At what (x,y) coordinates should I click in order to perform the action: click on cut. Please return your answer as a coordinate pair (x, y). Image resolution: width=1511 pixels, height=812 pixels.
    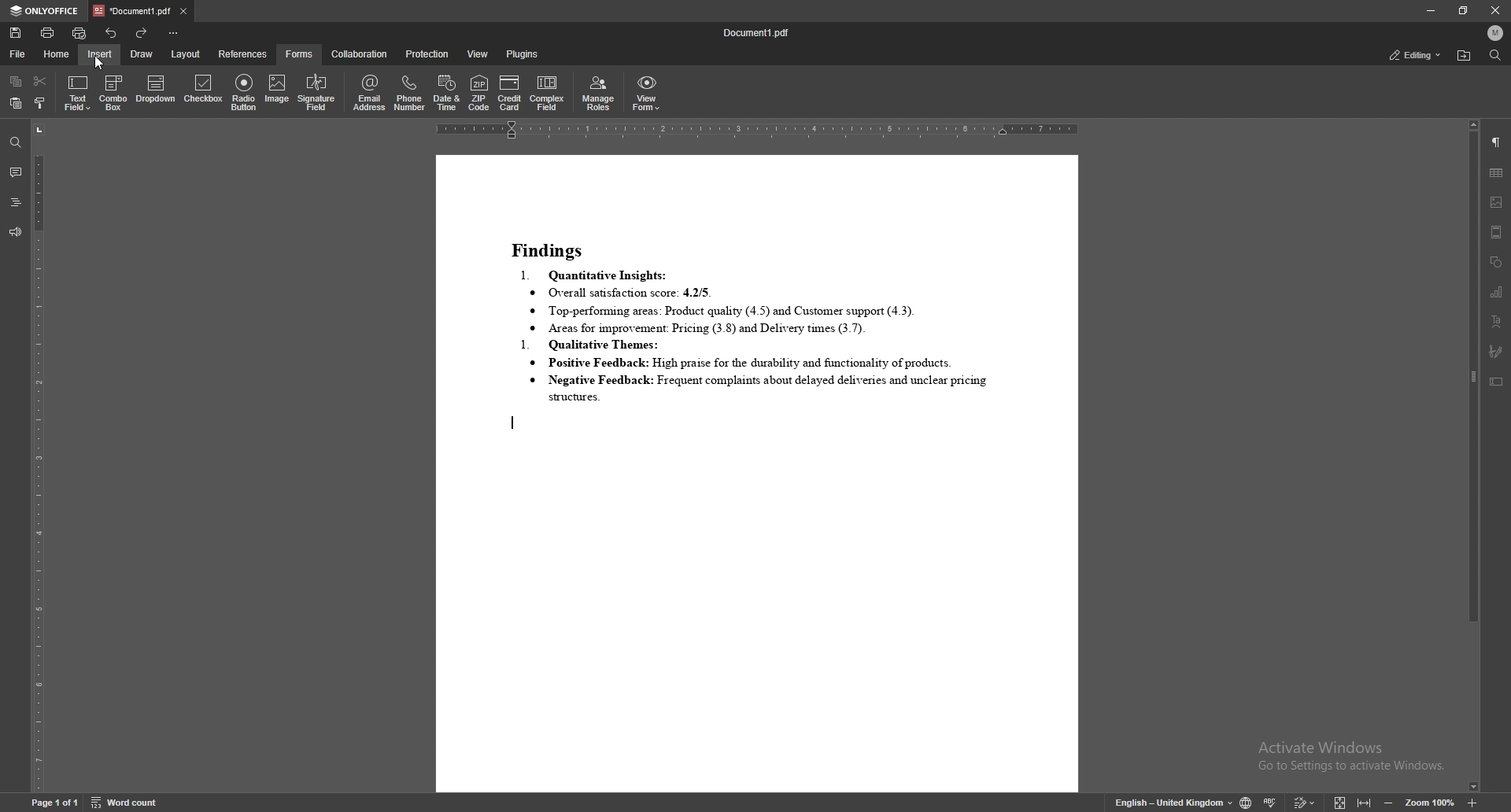
    Looking at the image, I should click on (41, 79).